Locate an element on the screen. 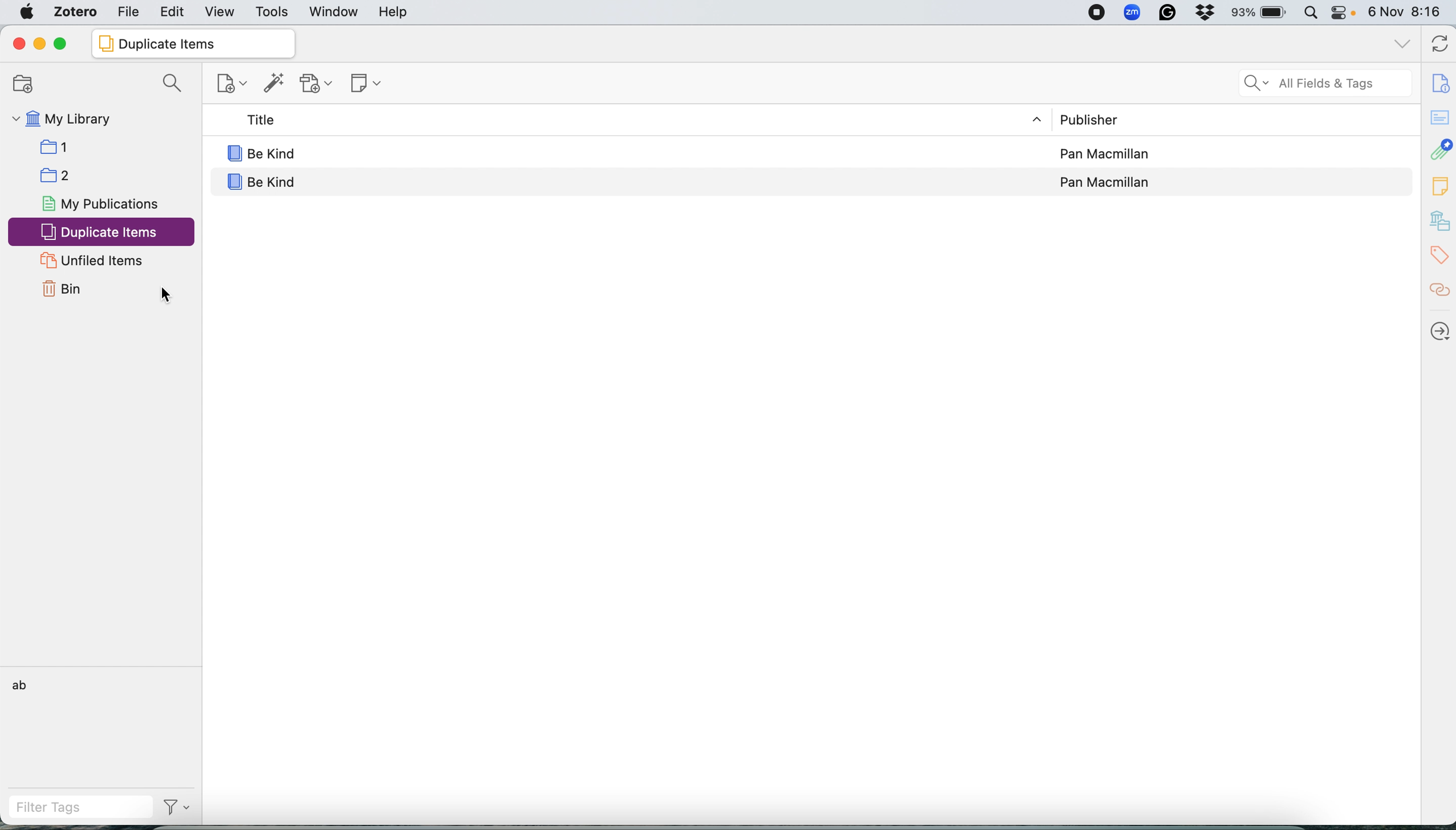 This screenshot has width=1456, height=830. note info is located at coordinates (1439, 82).